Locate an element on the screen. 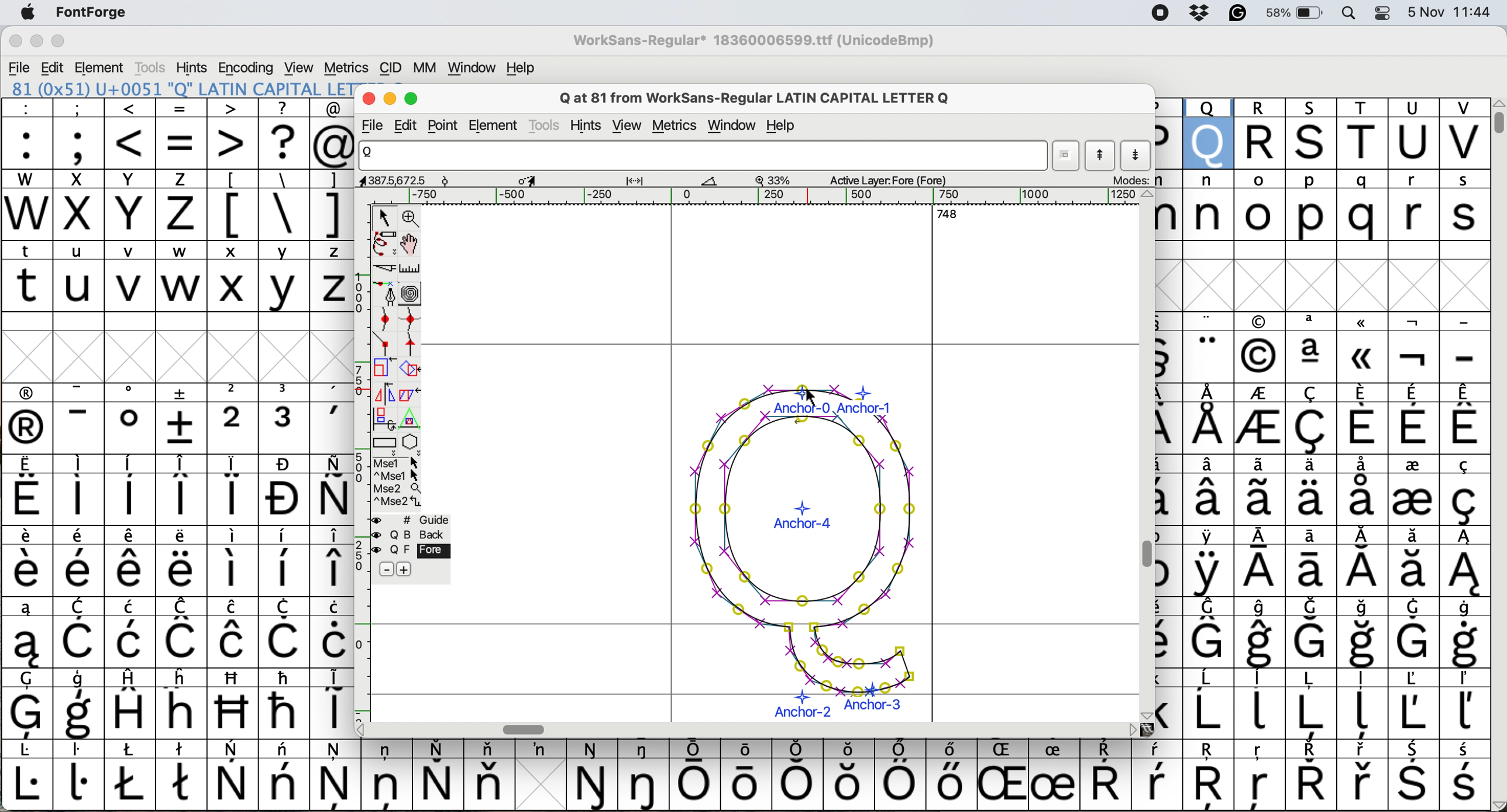 The height and width of the screenshot is (812, 1507). minimise is located at coordinates (390, 99).